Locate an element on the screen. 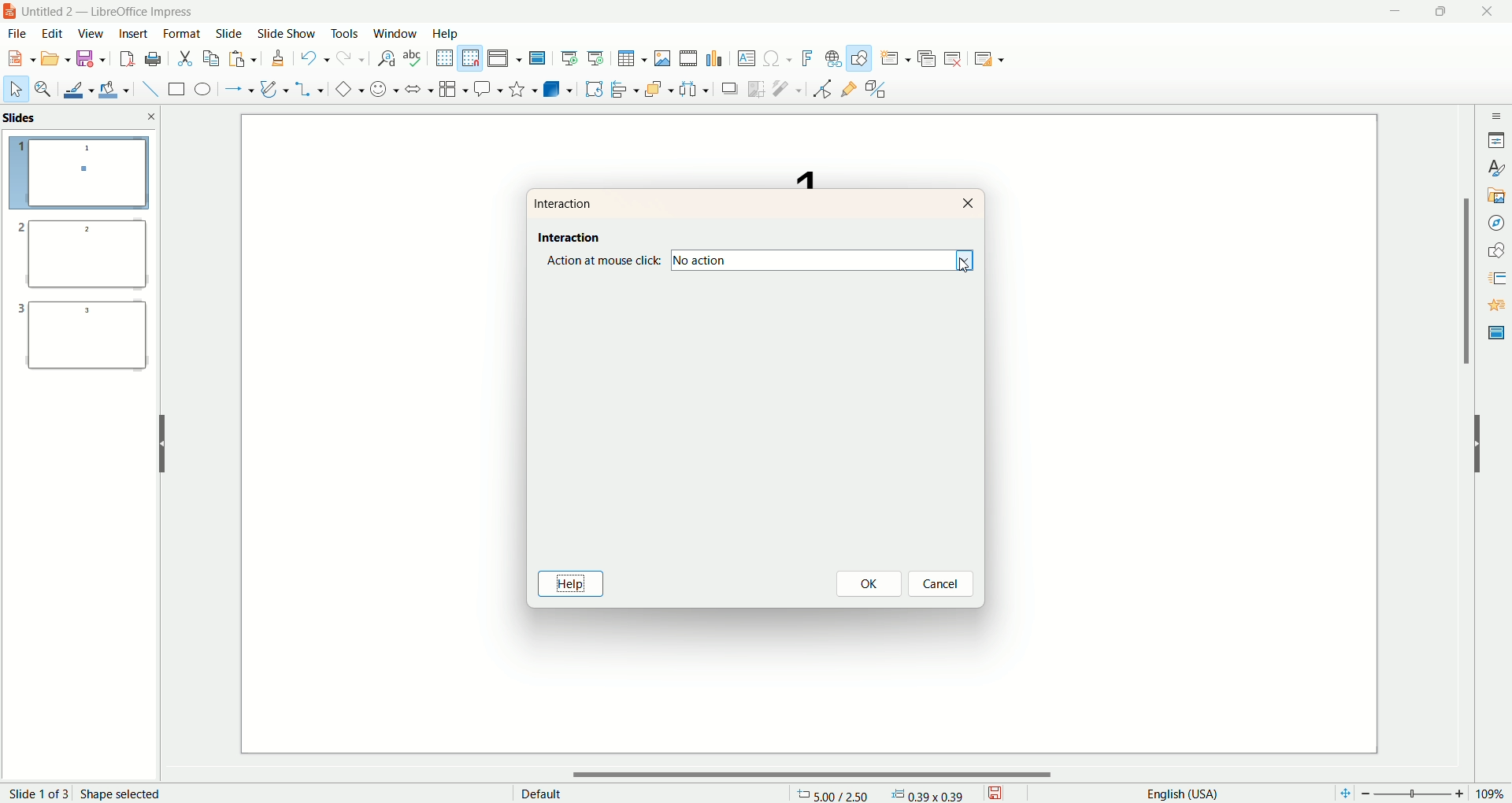 This screenshot has width=1512, height=803. special character is located at coordinates (776, 59).